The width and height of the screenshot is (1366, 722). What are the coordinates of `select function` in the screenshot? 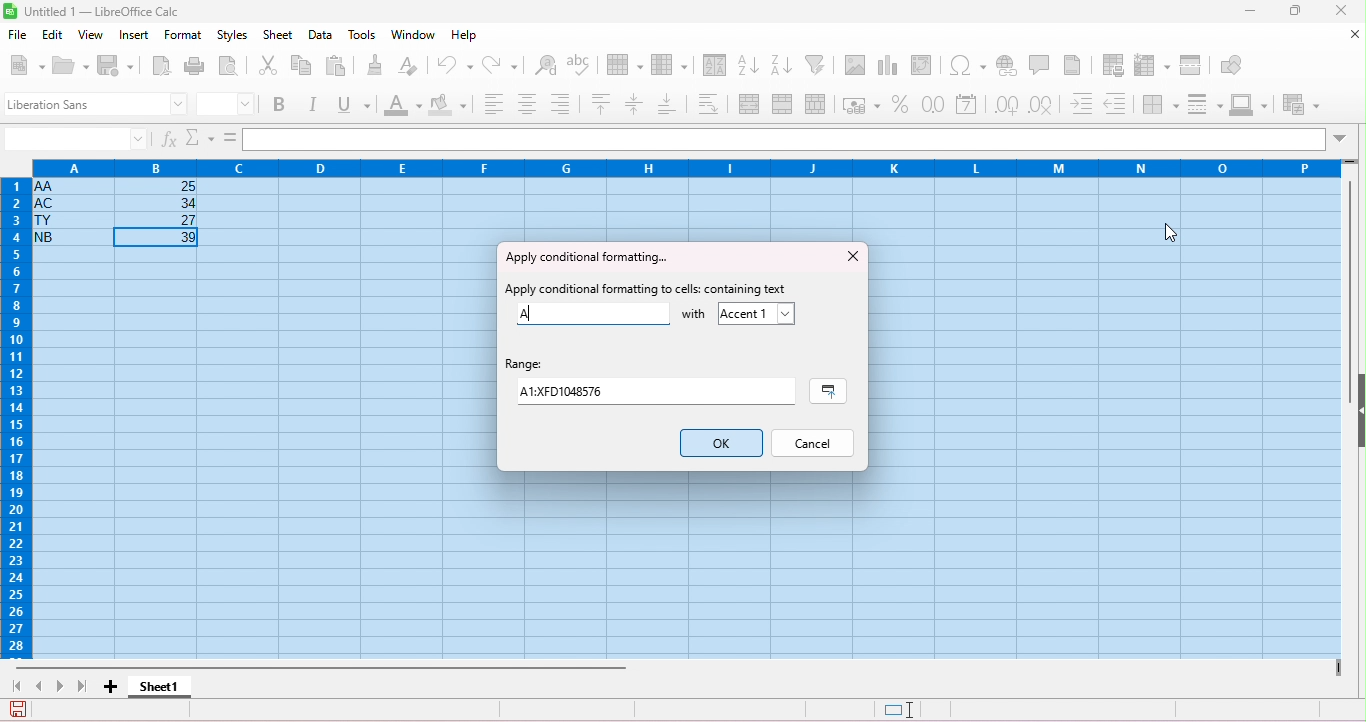 It's located at (200, 137).